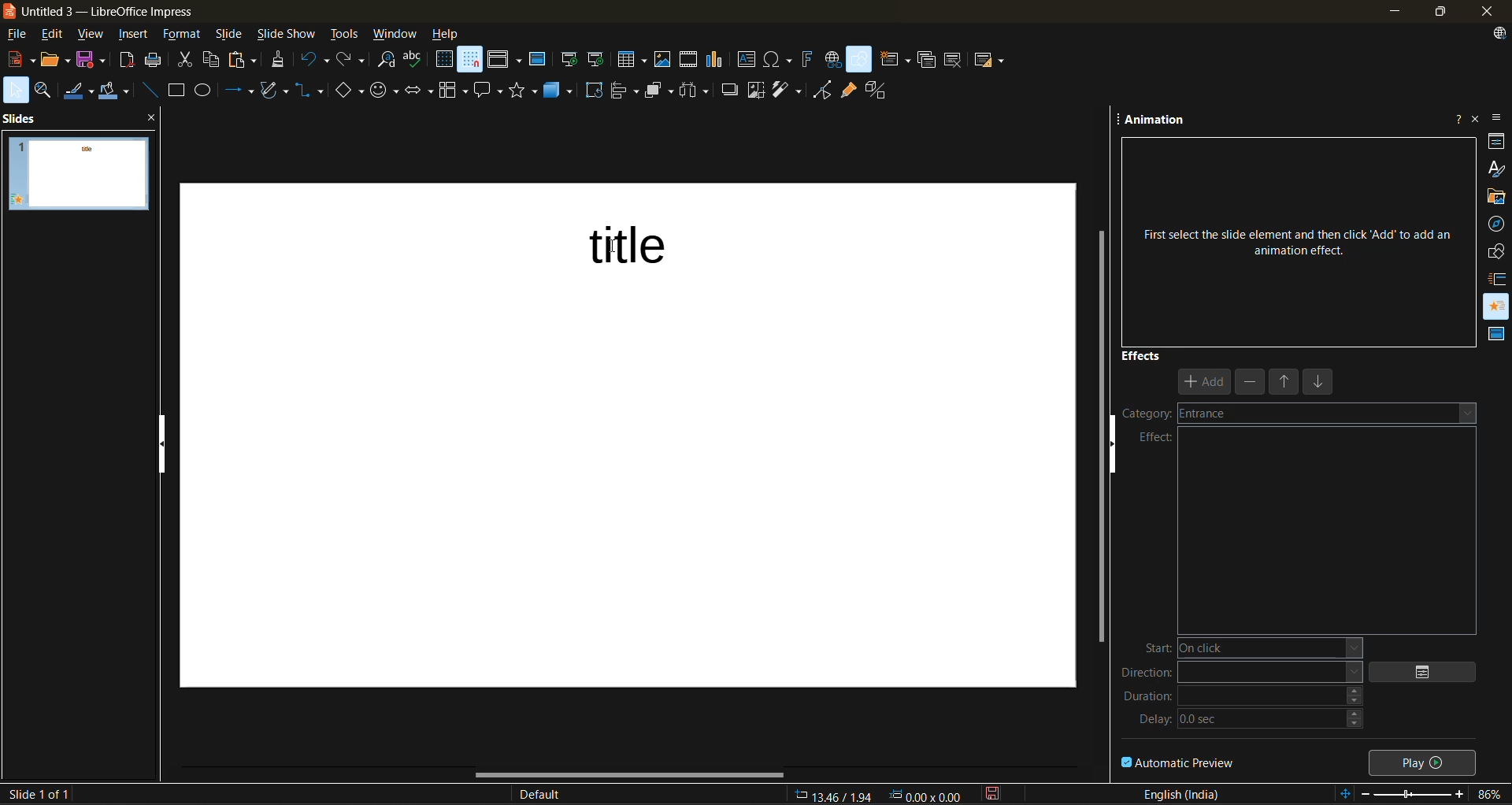  Describe the element at coordinates (490, 91) in the screenshot. I see `callout shapes` at that location.